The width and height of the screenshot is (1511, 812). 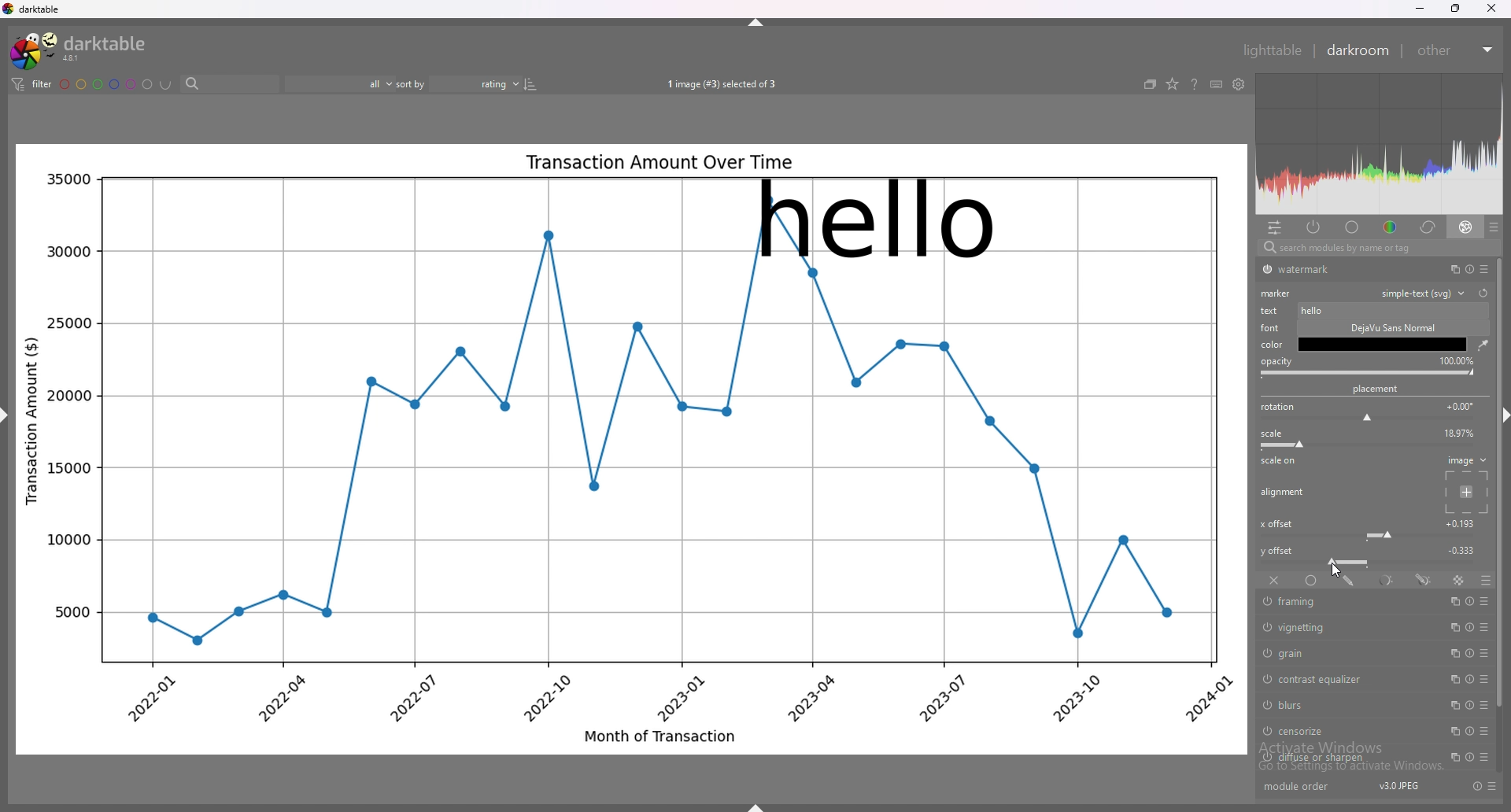 I want to click on presets, so click(x=1486, y=601).